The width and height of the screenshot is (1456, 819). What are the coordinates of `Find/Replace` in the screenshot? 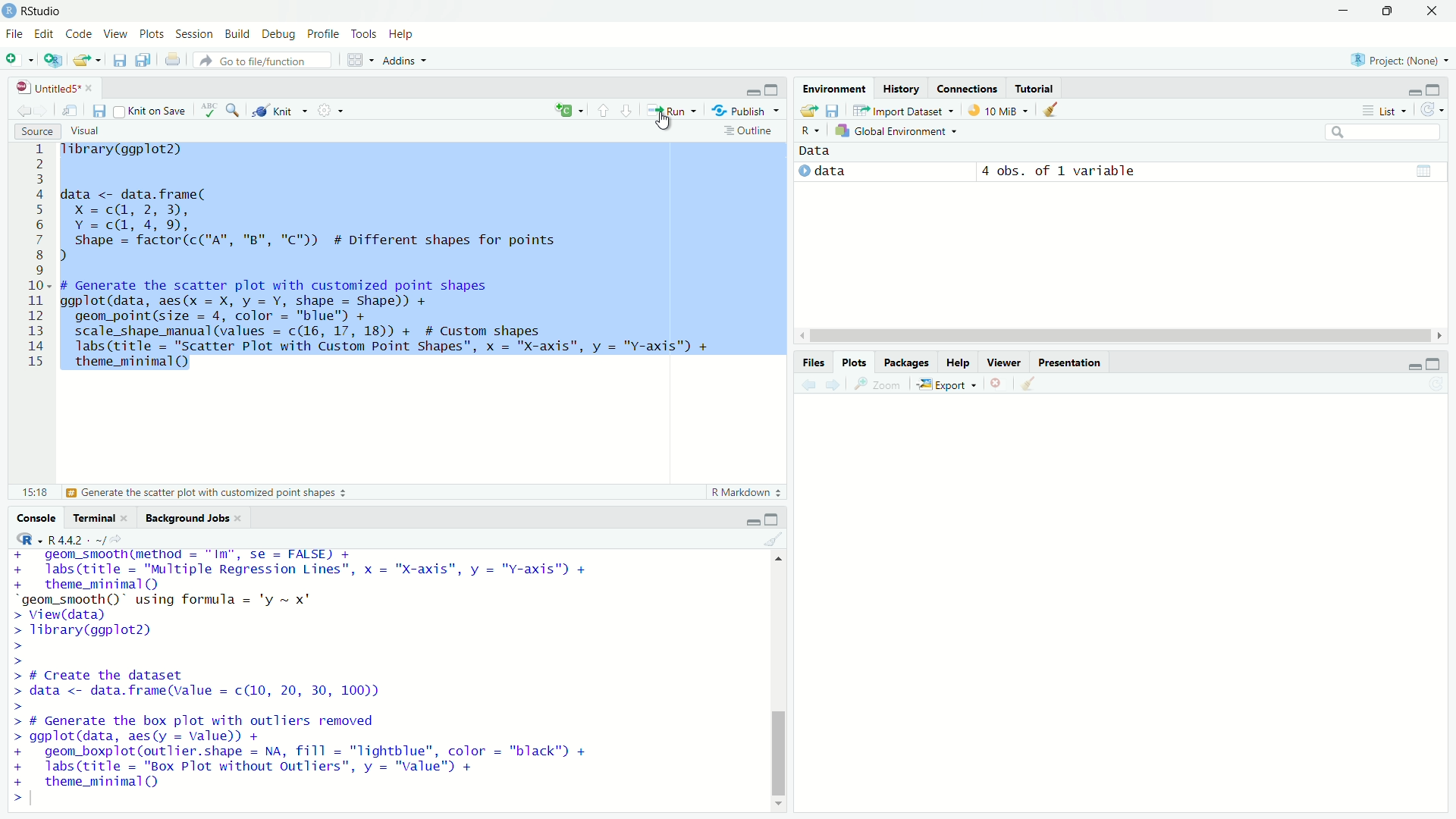 It's located at (234, 110).